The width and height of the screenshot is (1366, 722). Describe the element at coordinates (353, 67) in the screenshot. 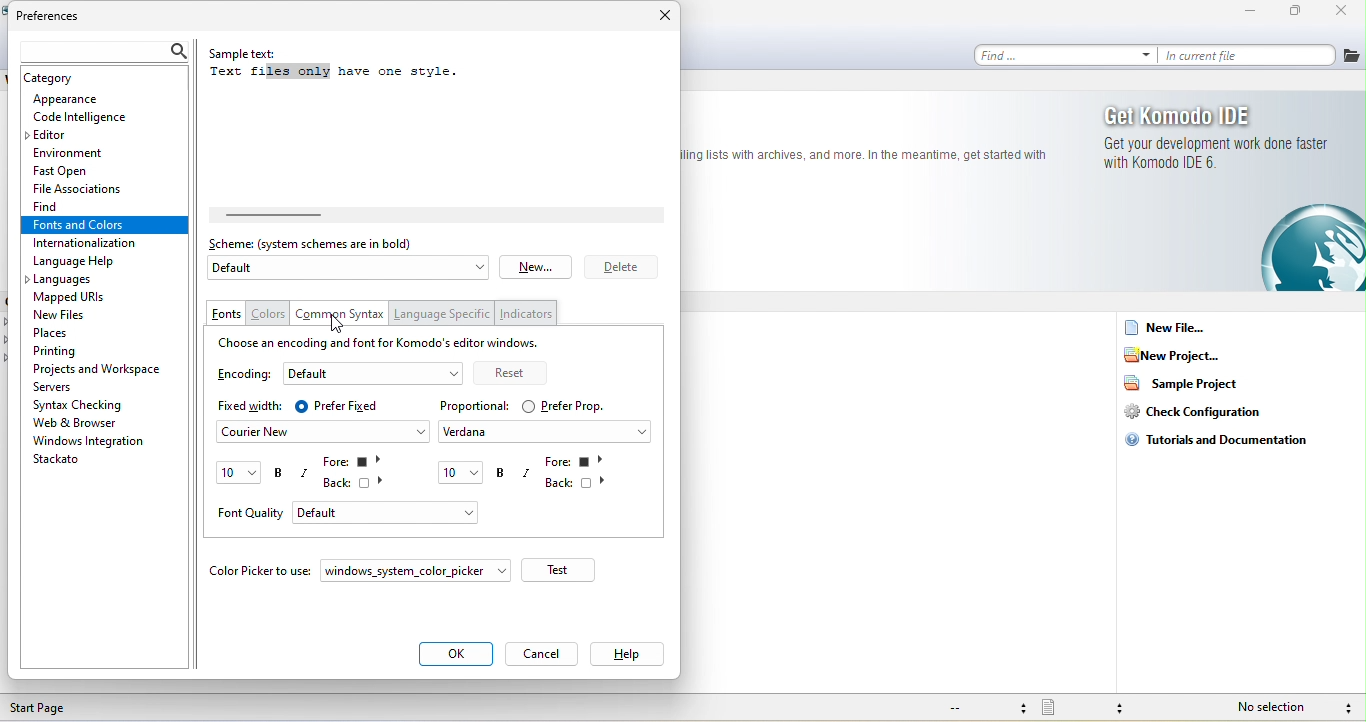

I see `sample text` at that location.